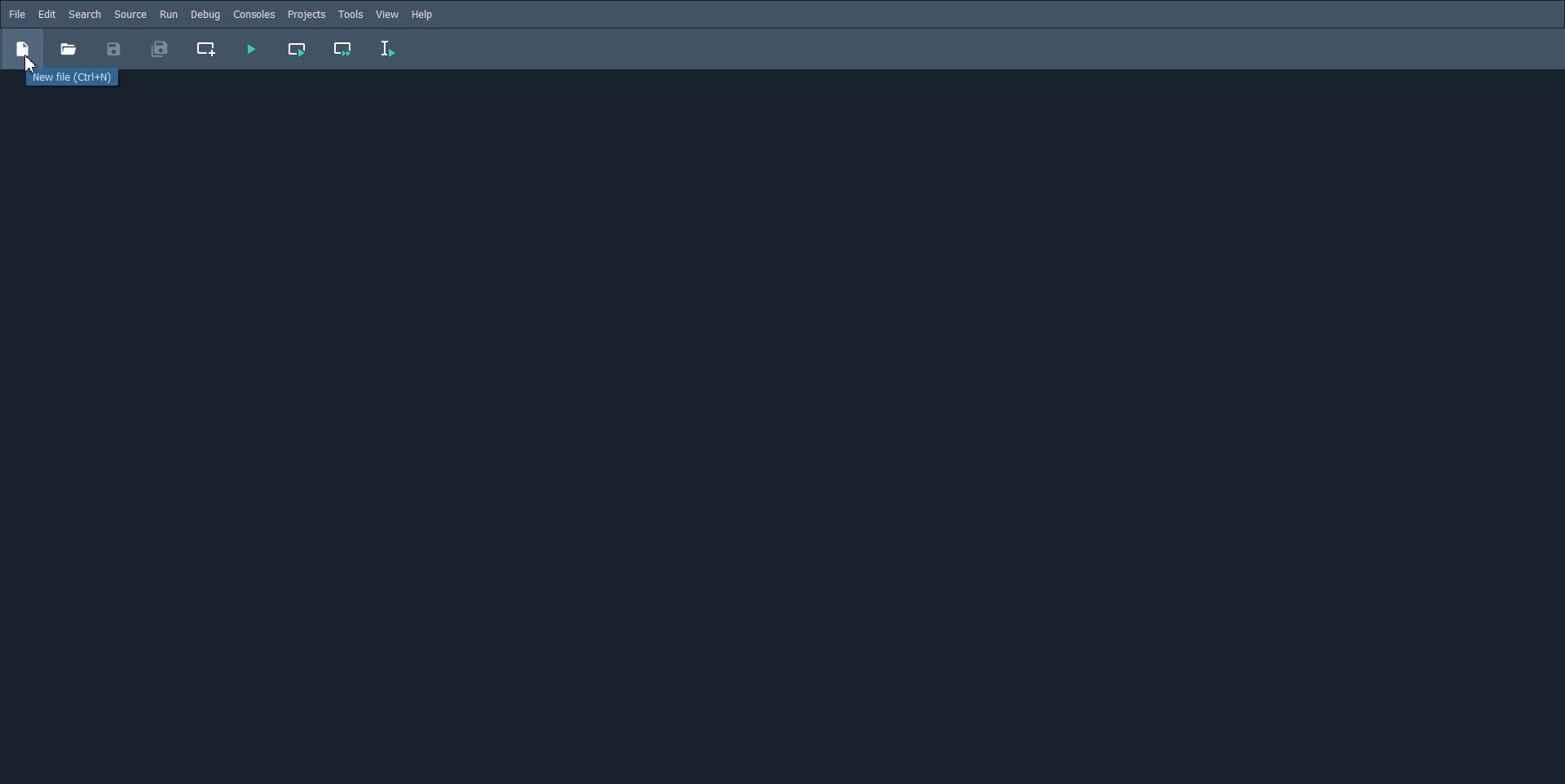 The image size is (1565, 784). I want to click on Search, so click(85, 15).